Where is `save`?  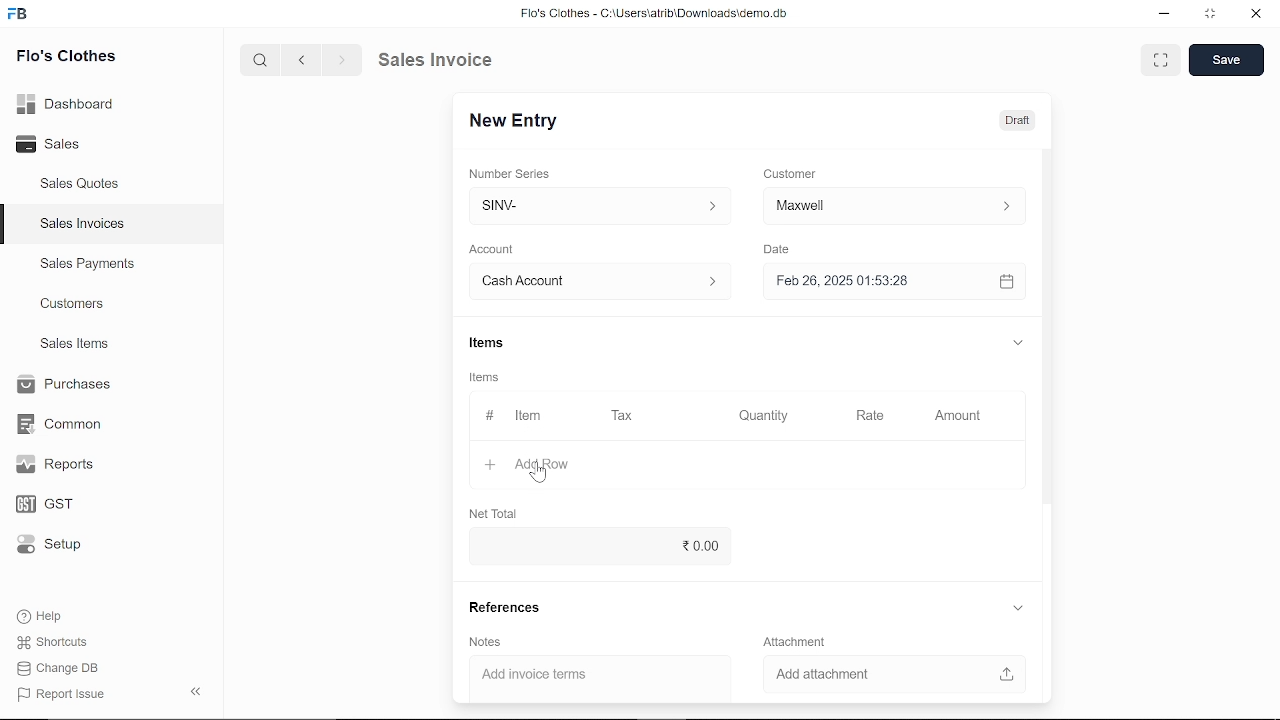 save is located at coordinates (1226, 60).